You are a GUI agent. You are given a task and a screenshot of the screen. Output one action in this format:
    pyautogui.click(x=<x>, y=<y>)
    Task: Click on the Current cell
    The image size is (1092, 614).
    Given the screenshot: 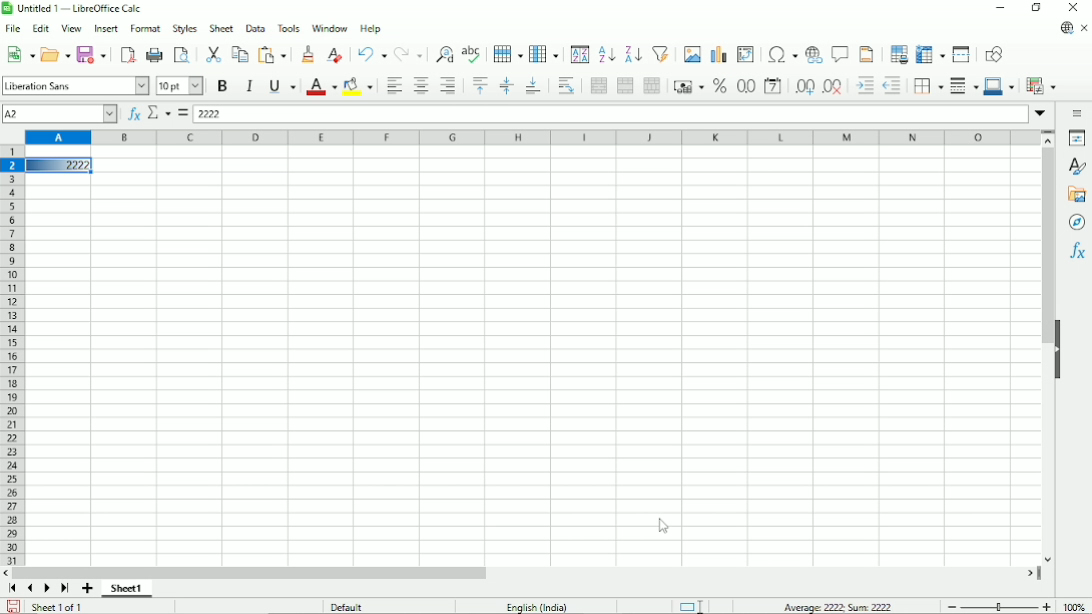 What is the action you would take?
    pyautogui.click(x=59, y=114)
    